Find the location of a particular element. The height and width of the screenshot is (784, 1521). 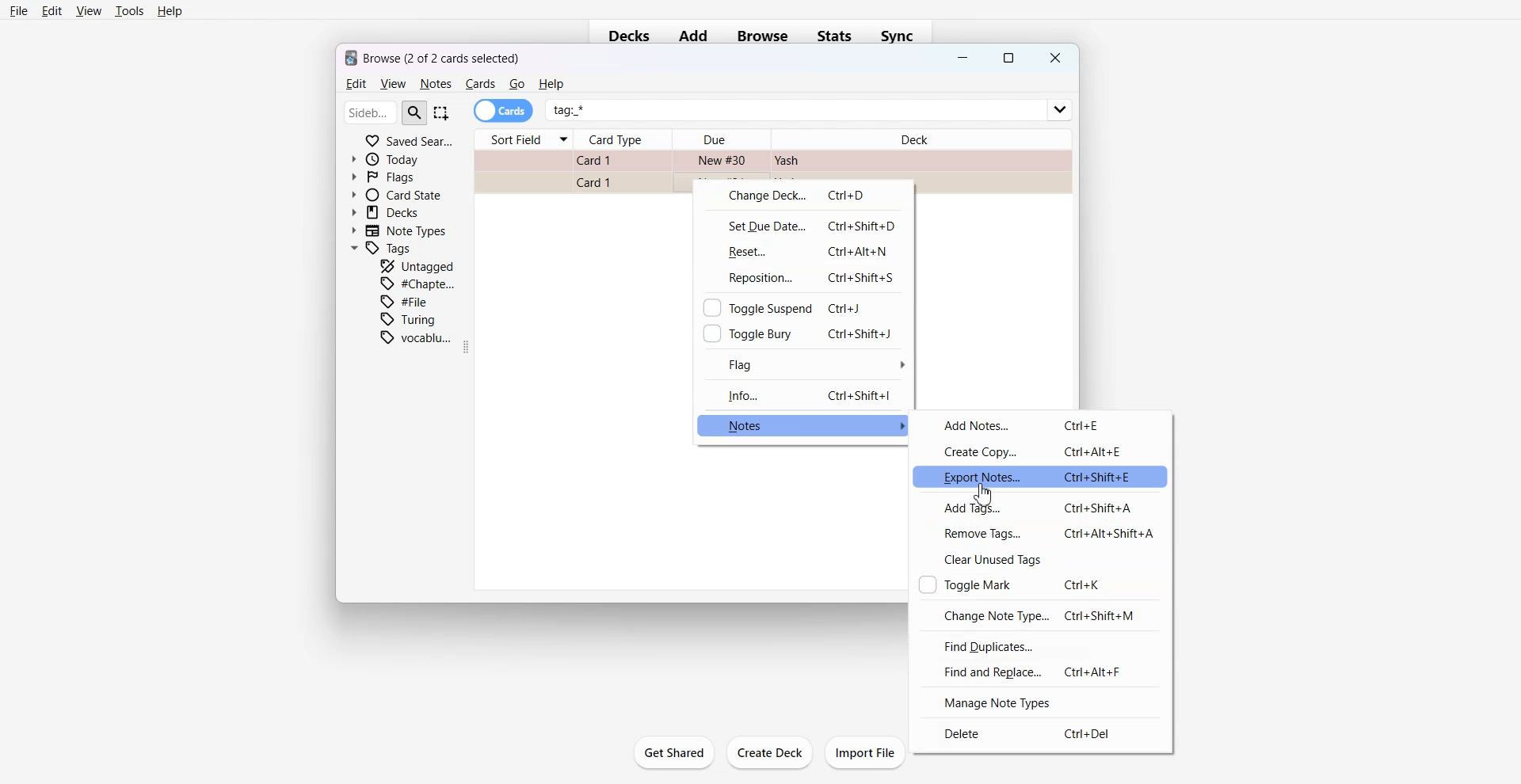

Change Note Type is located at coordinates (1039, 614).